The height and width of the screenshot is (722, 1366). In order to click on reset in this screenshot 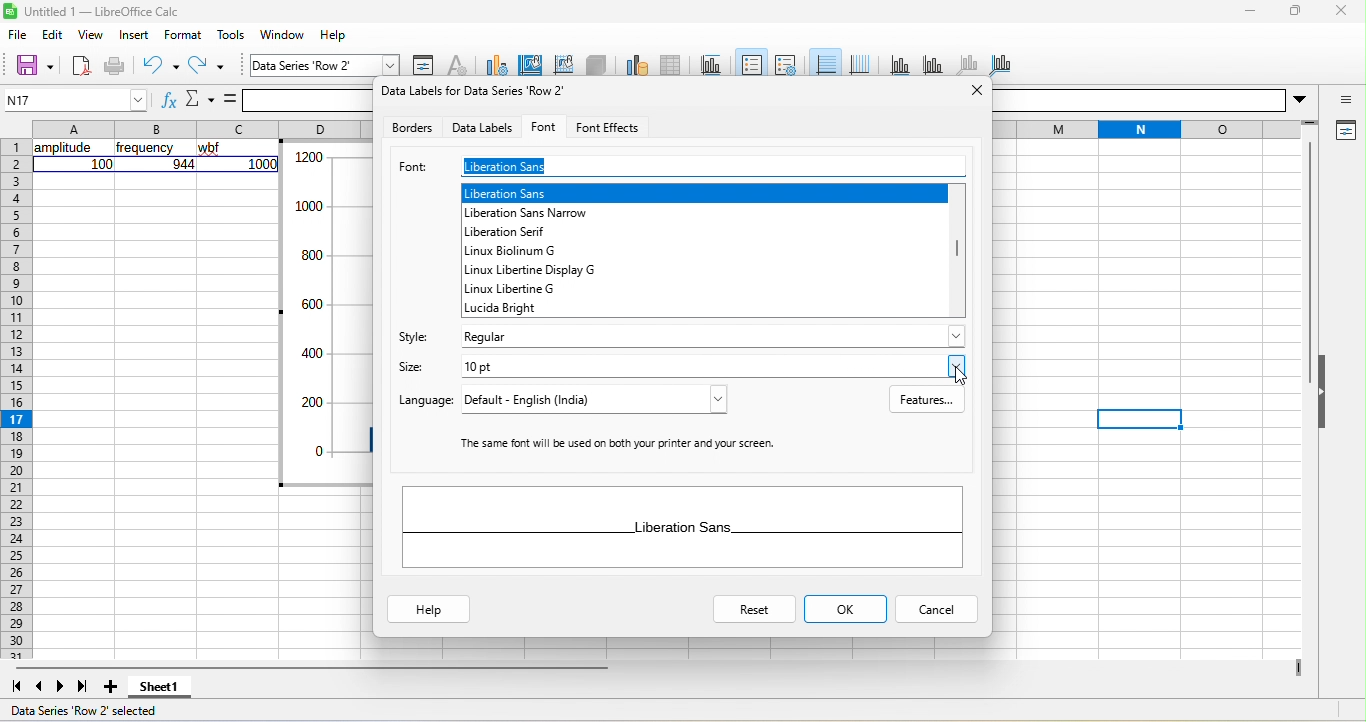, I will do `click(752, 610)`.